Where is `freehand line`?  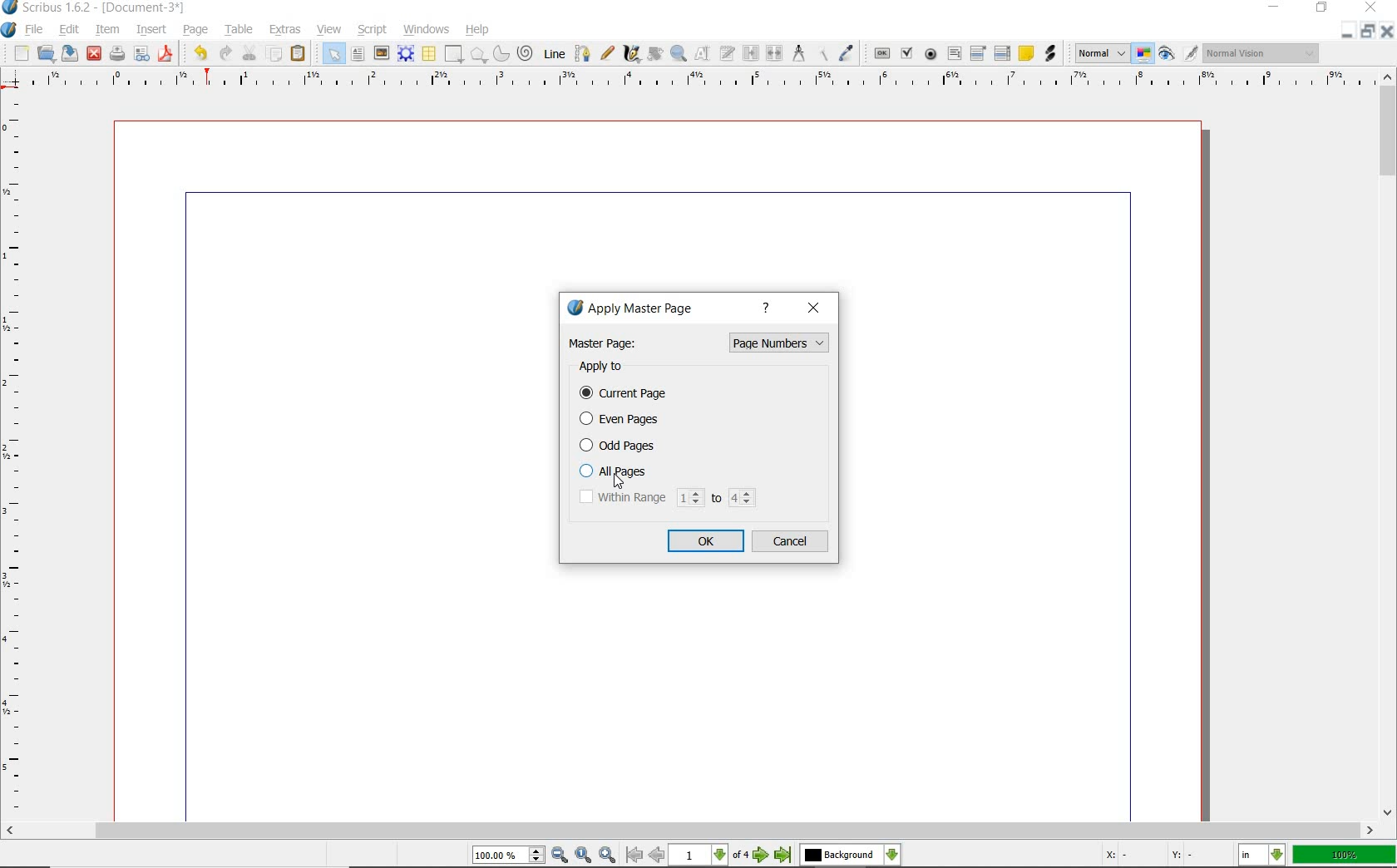
freehand line is located at coordinates (607, 53).